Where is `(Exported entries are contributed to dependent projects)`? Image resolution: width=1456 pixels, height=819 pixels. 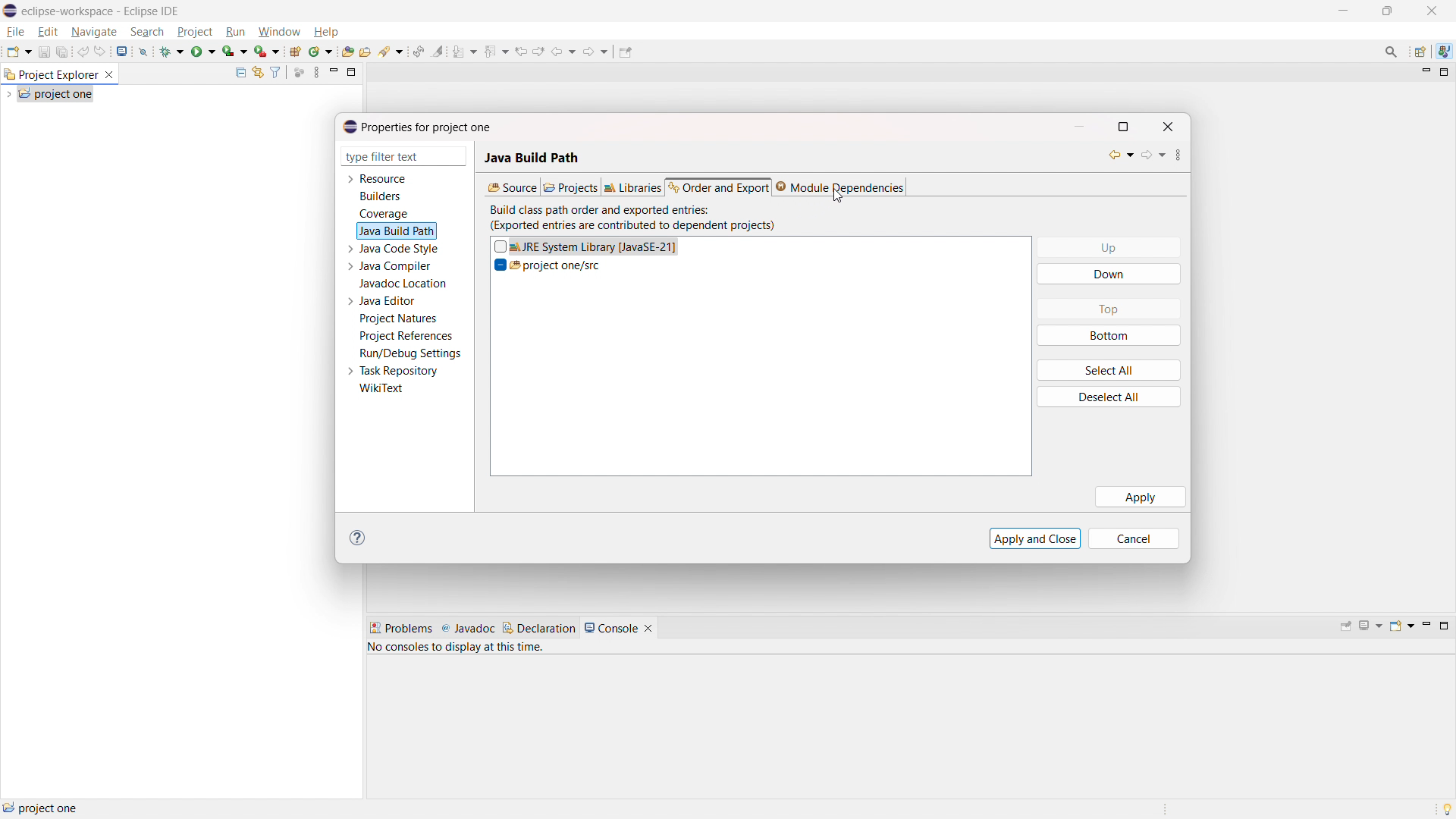 (Exported entries are contributed to dependent projects) is located at coordinates (639, 224).